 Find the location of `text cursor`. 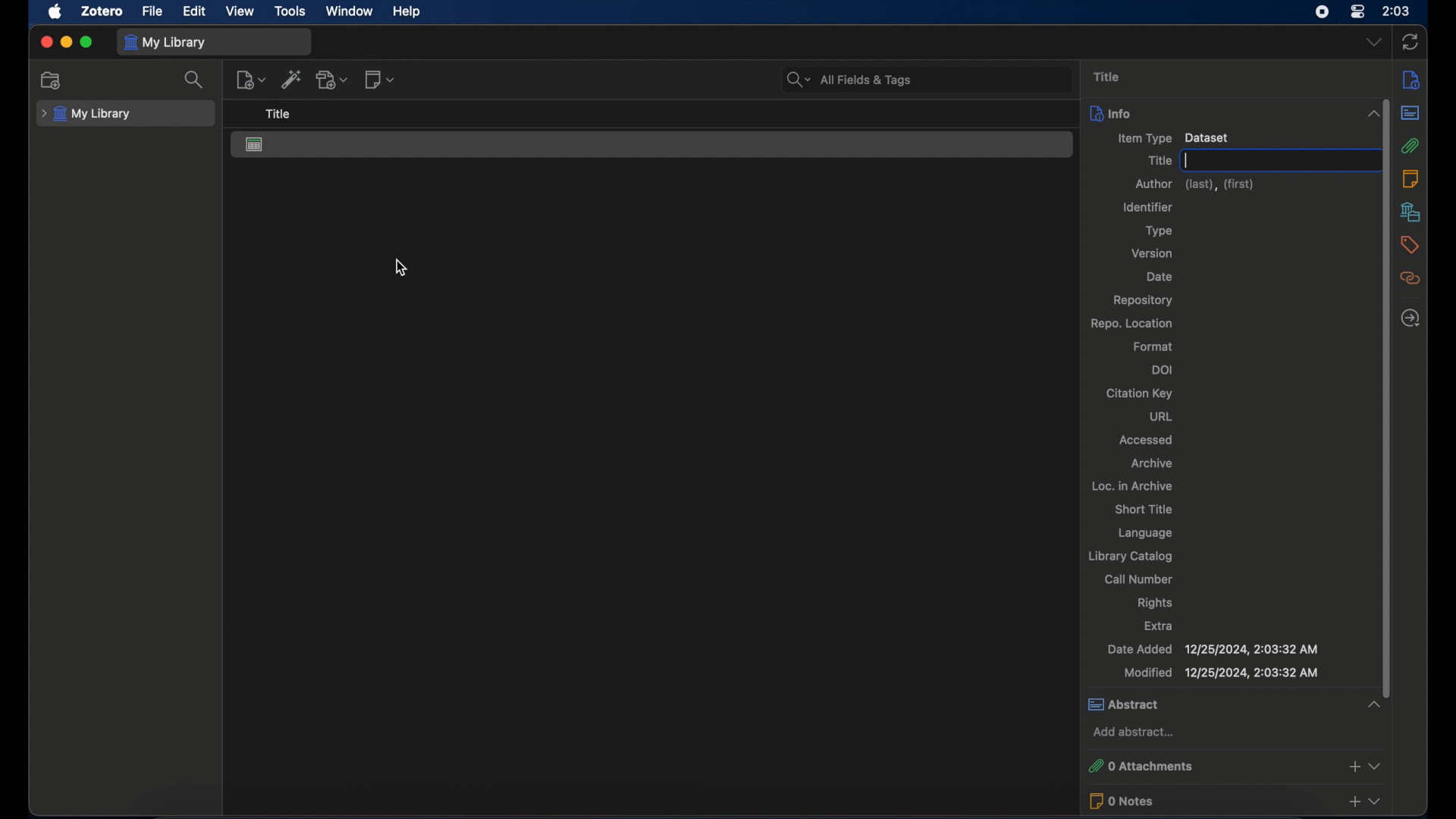

text cursor is located at coordinates (1188, 161).